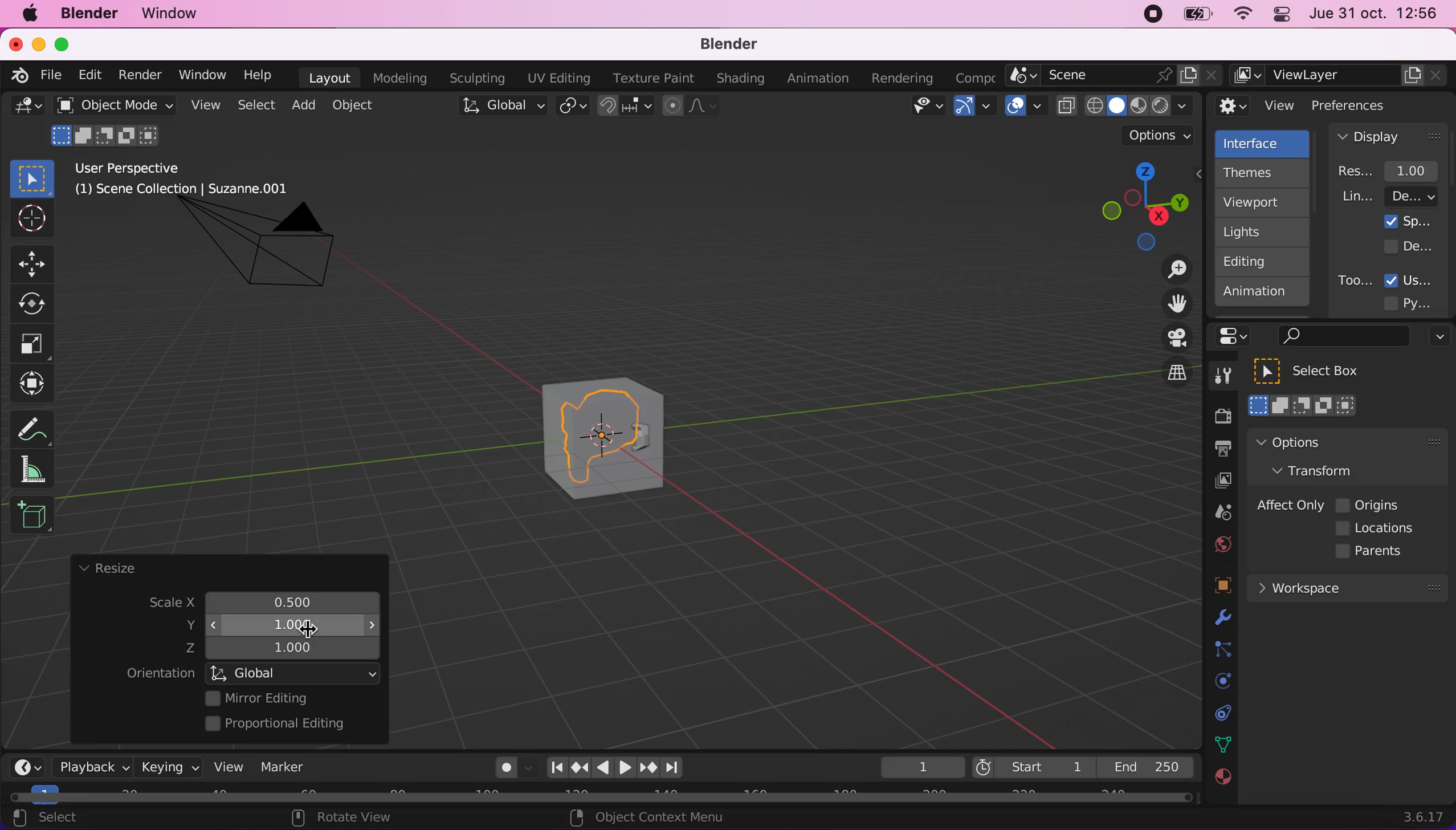  I want to click on end 250, so click(1145, 766).